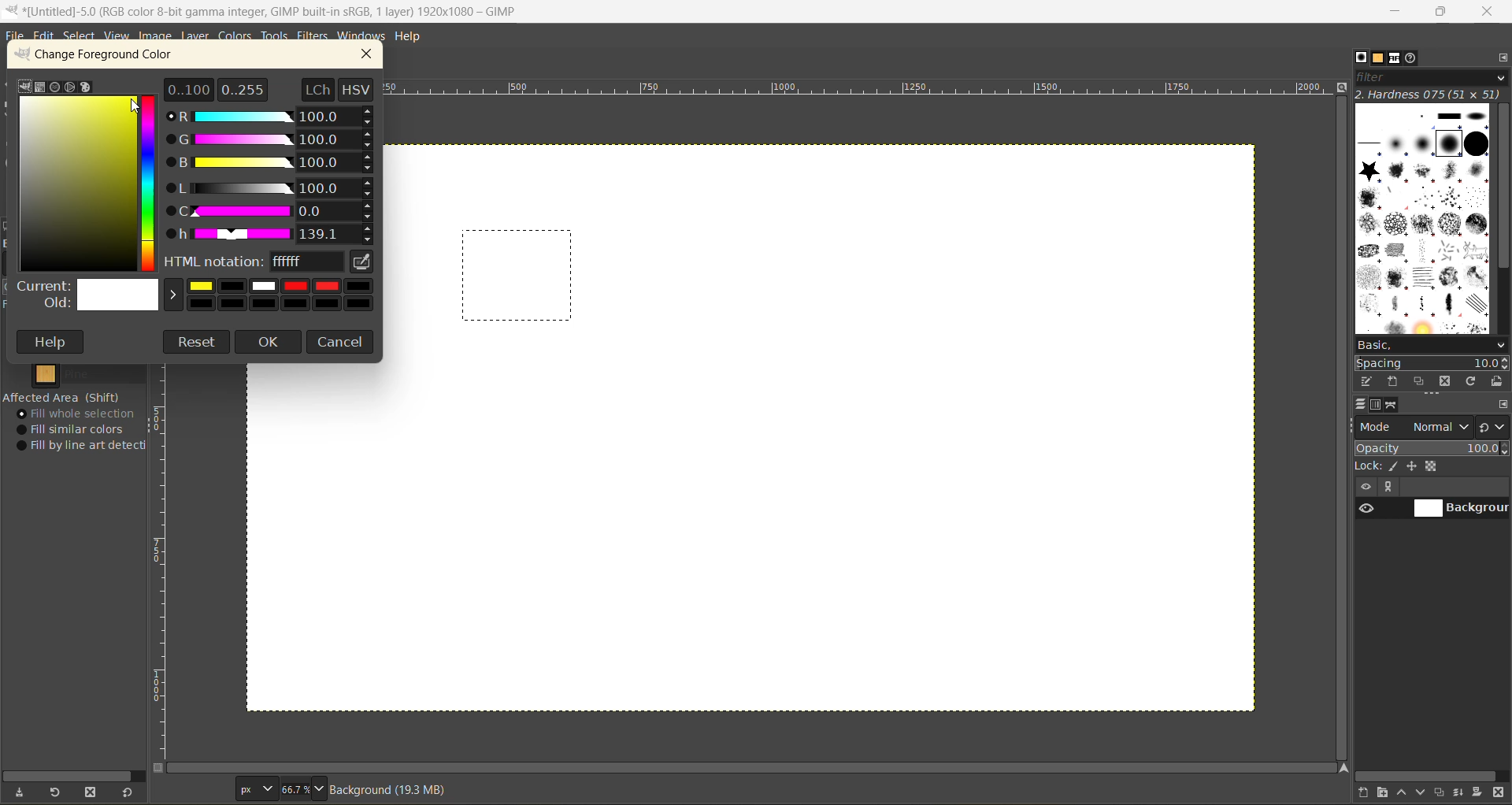  What do you see at coordinates (1424, 793) in the screenshot?
I see `lower this layer` at bounding box center [1424, 793].